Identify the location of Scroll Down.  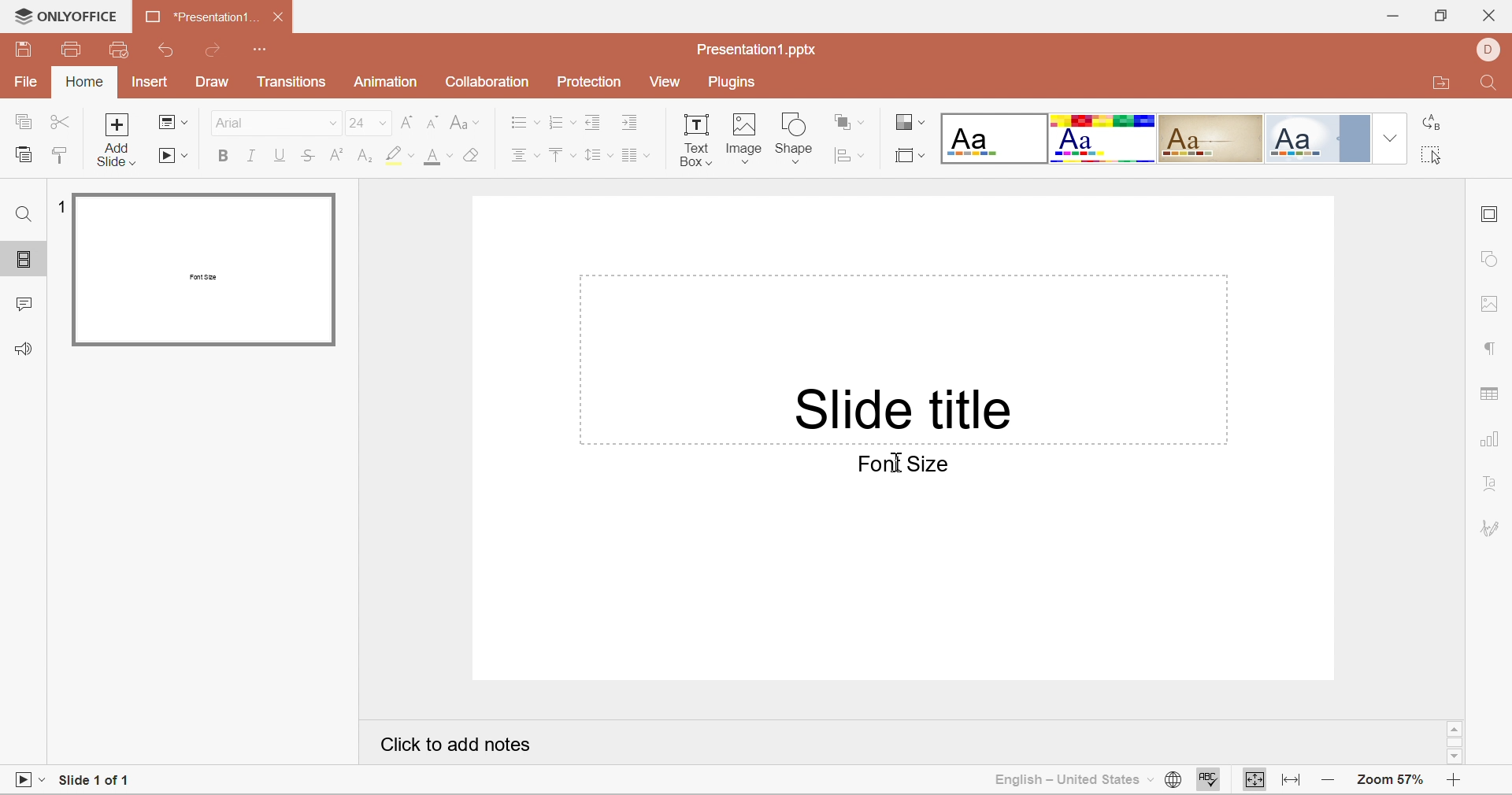
(1458, 757).